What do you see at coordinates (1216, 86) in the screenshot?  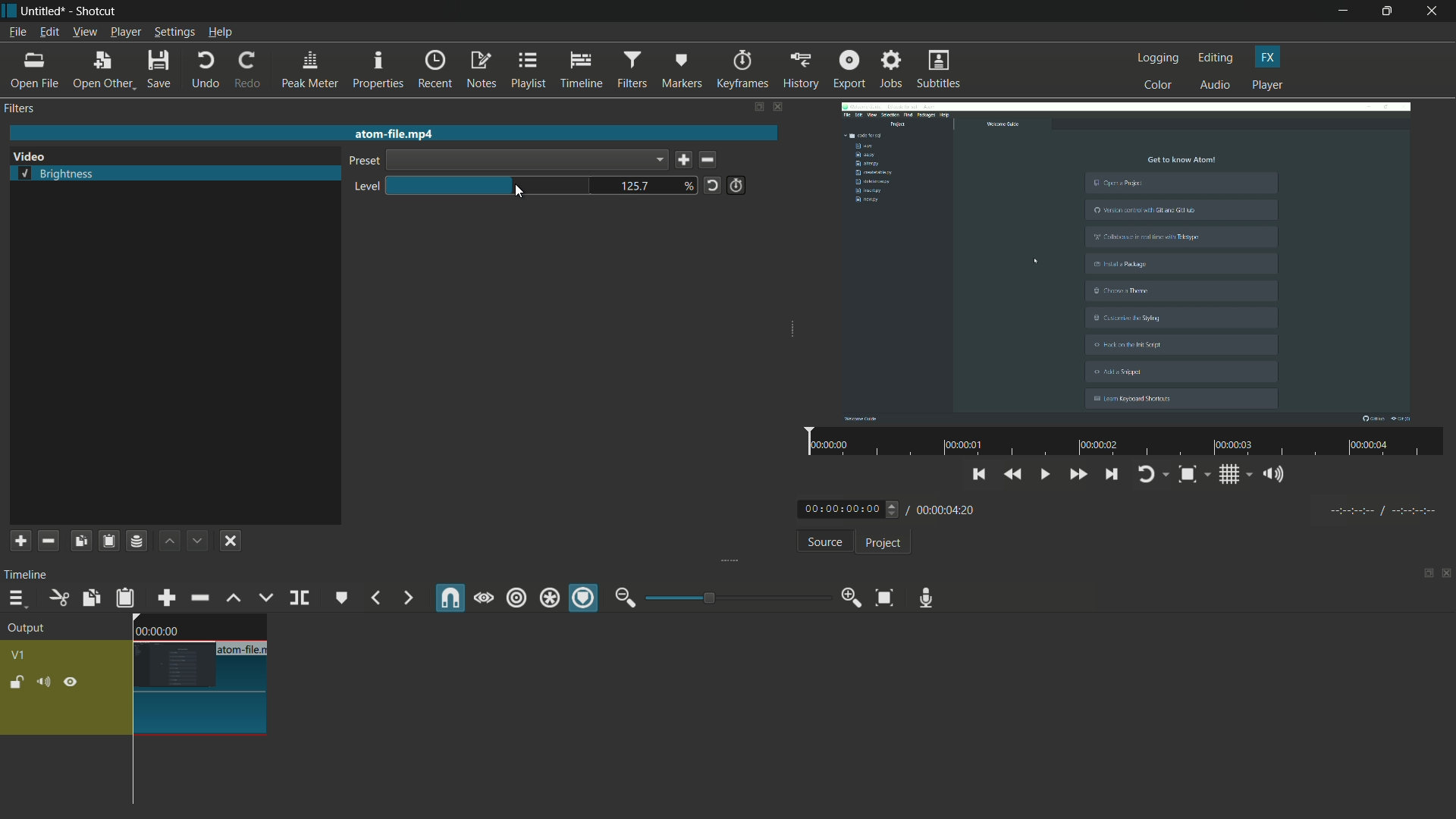 I see `audio` at bounding box center [1216, 86].